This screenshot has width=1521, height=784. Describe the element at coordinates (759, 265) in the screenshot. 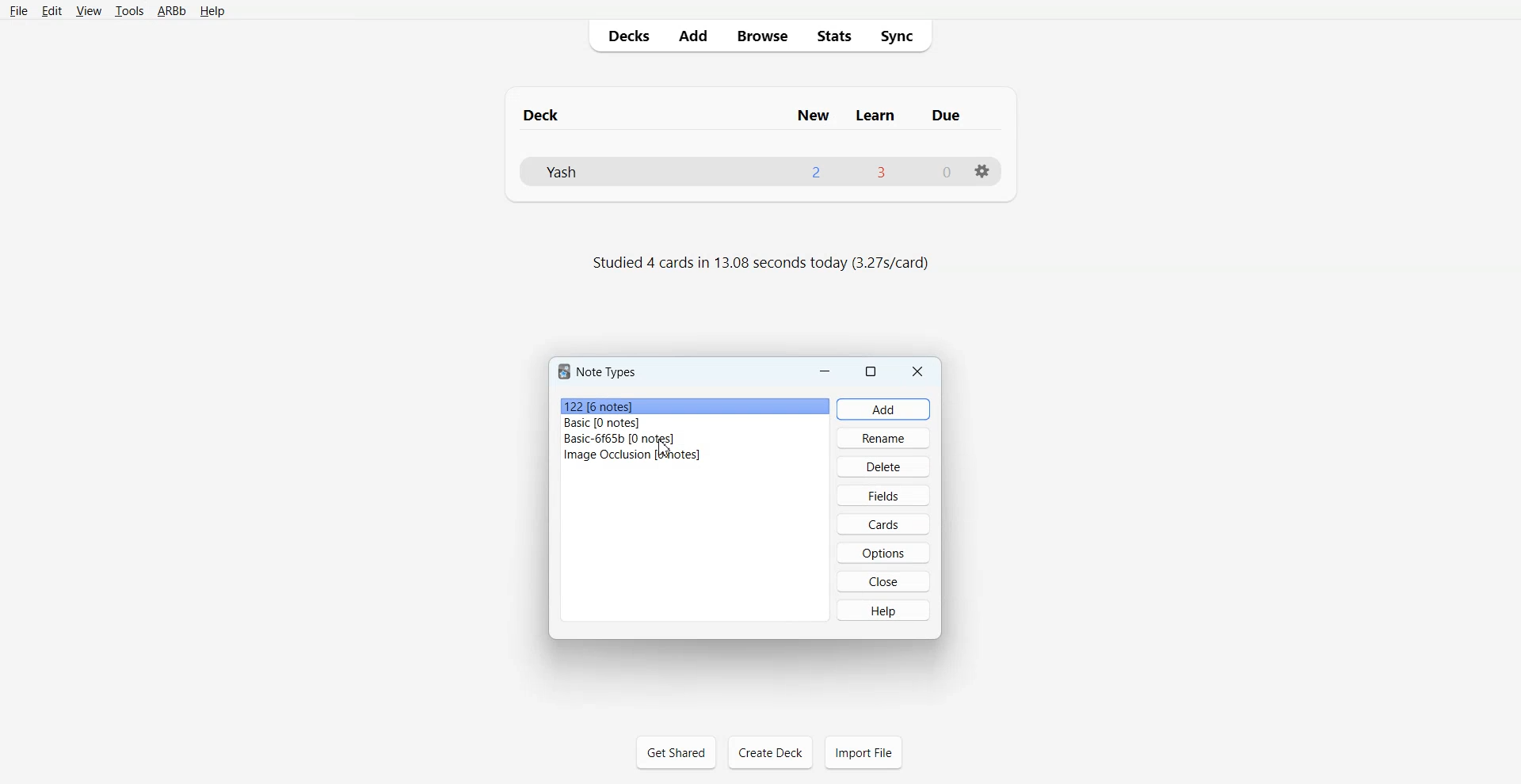

I see `Text 2` at that location.